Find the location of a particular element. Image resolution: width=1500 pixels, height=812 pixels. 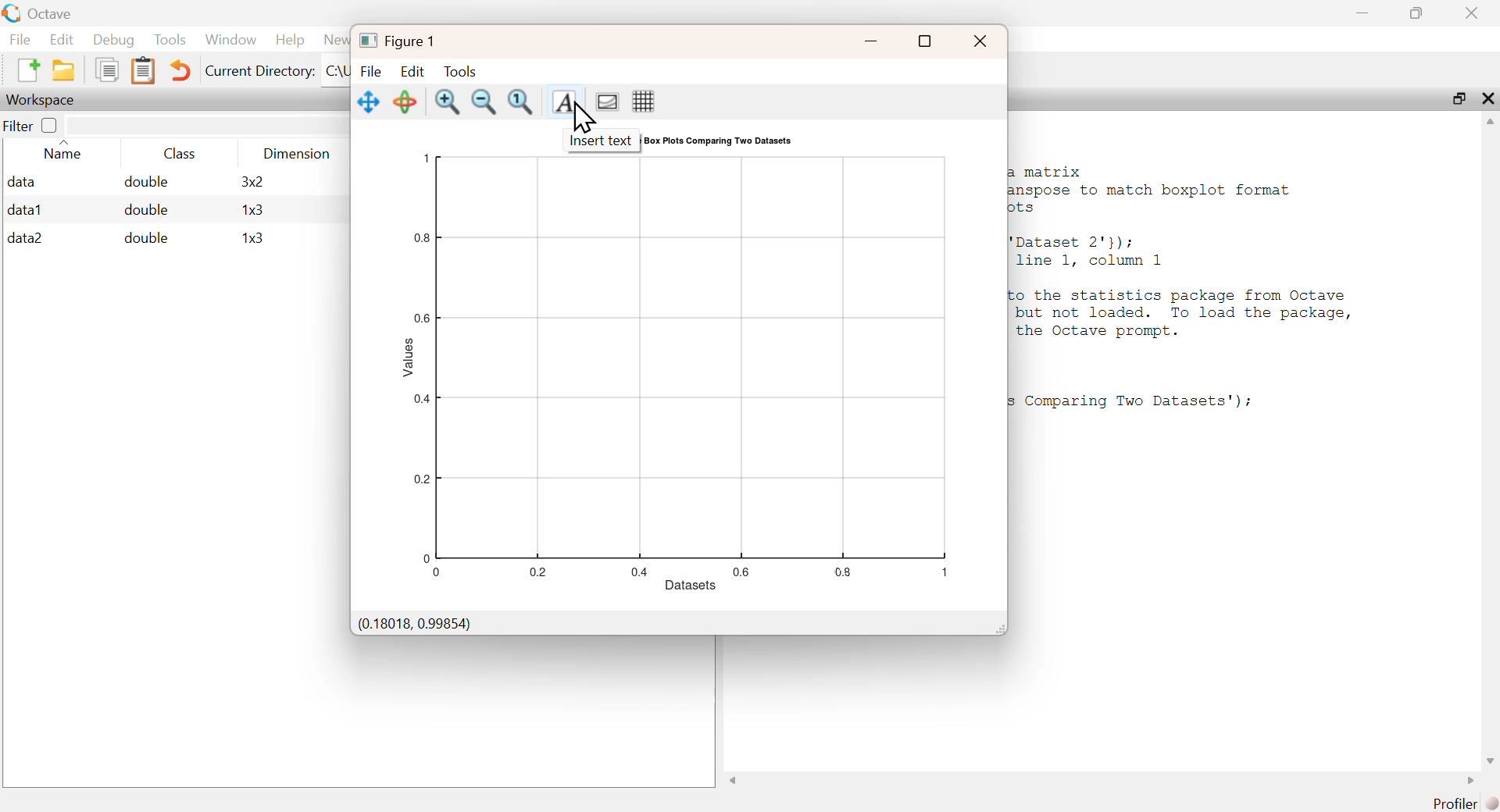

File is located at coordinates (21, 39).